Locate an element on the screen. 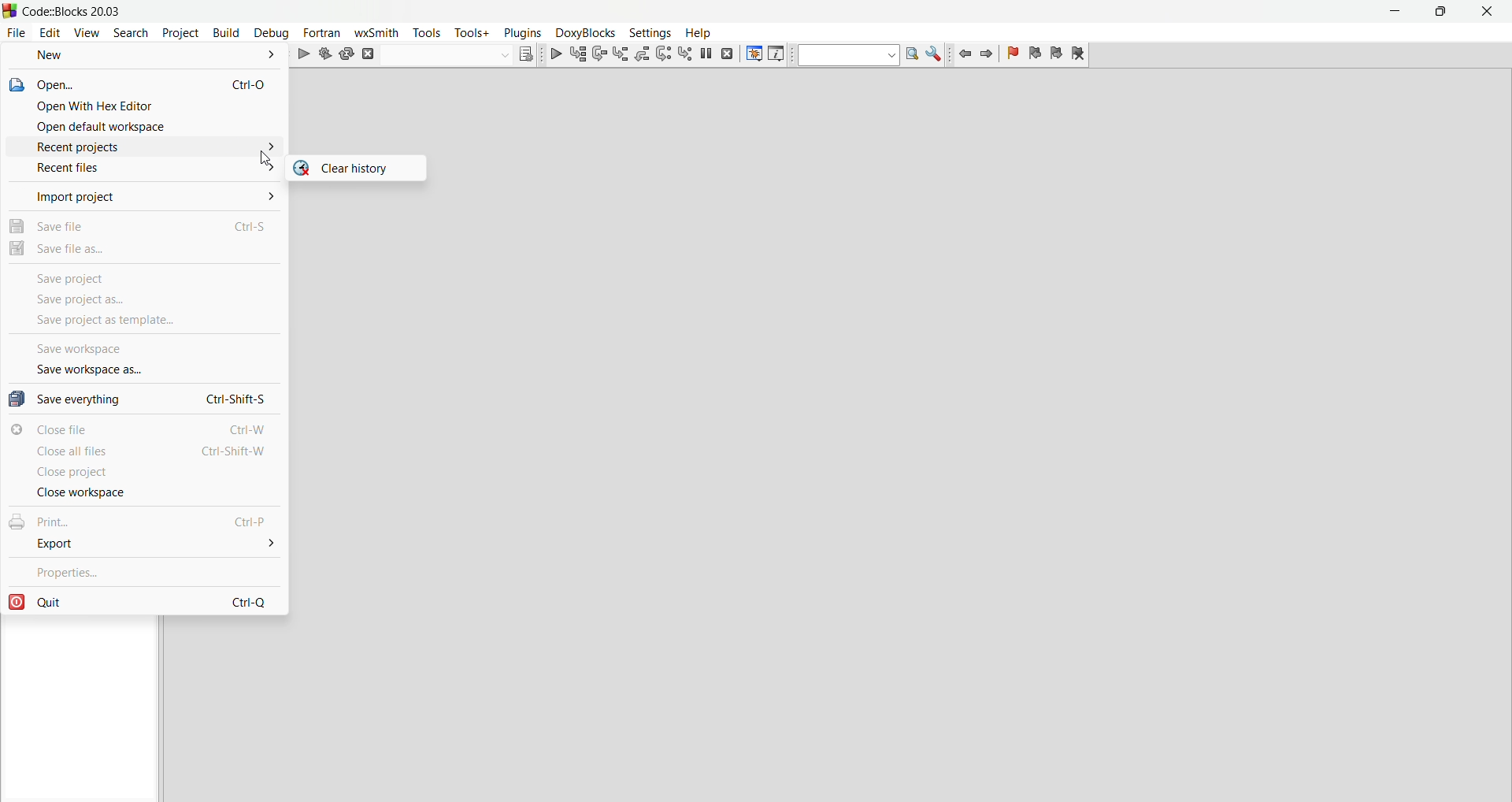 The width and height of the screenshot is (1512, 802). show the select target dialog is located at coordinates (528, 56).